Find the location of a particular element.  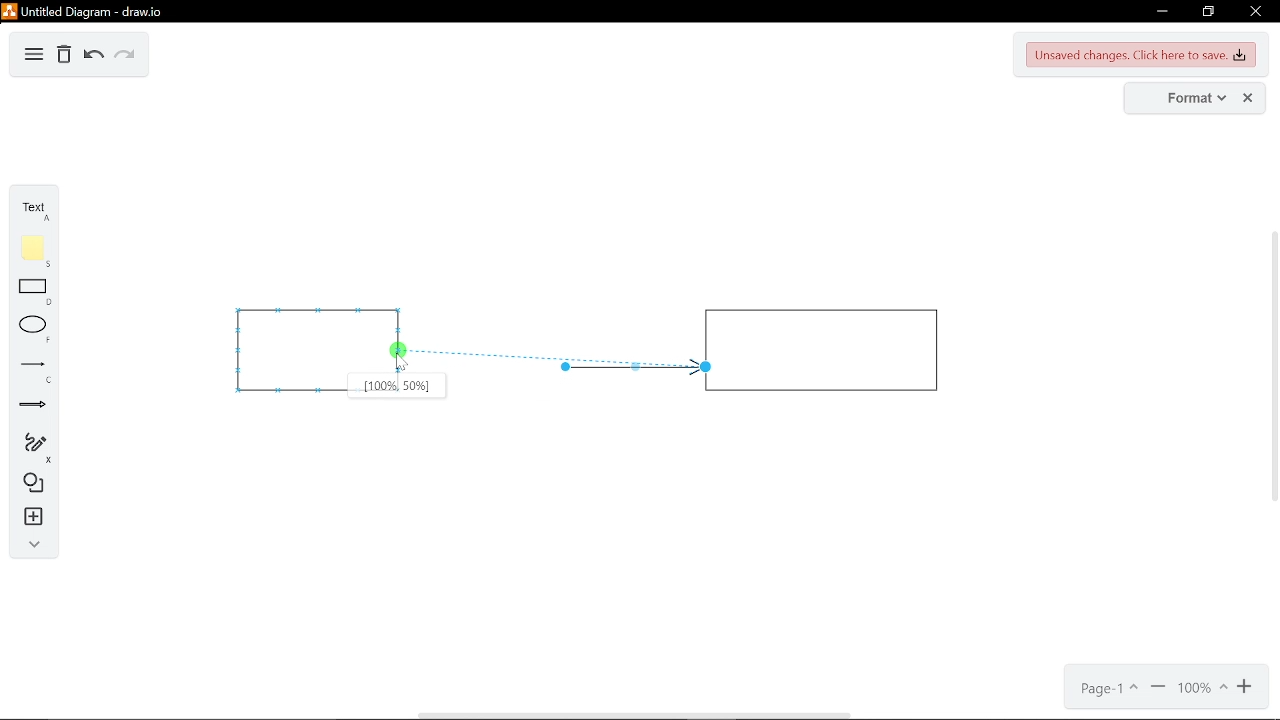

rectangle 1 is located at coordinates (291, 350).